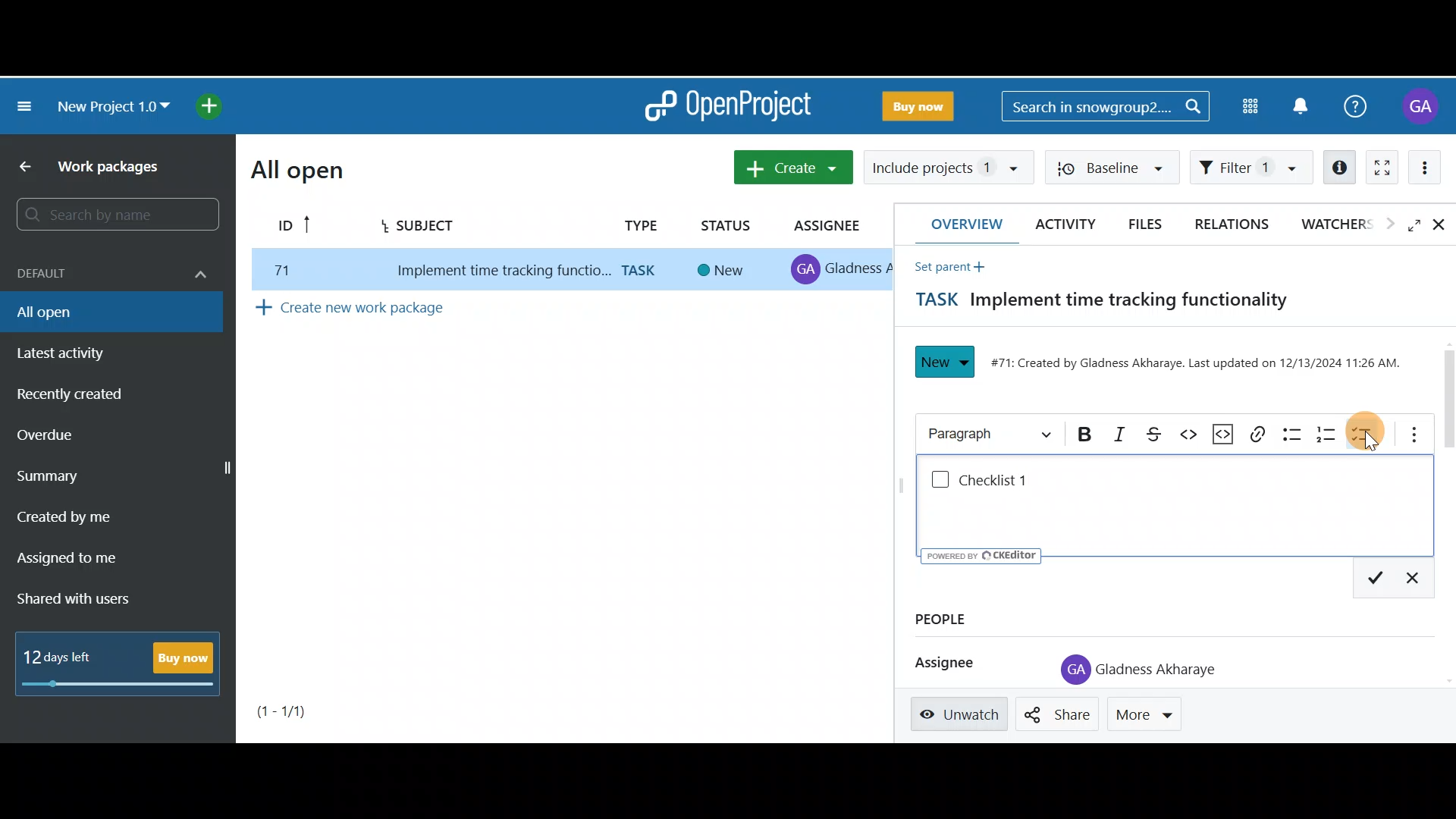  I want to click on profile icon, so click(807, 270).